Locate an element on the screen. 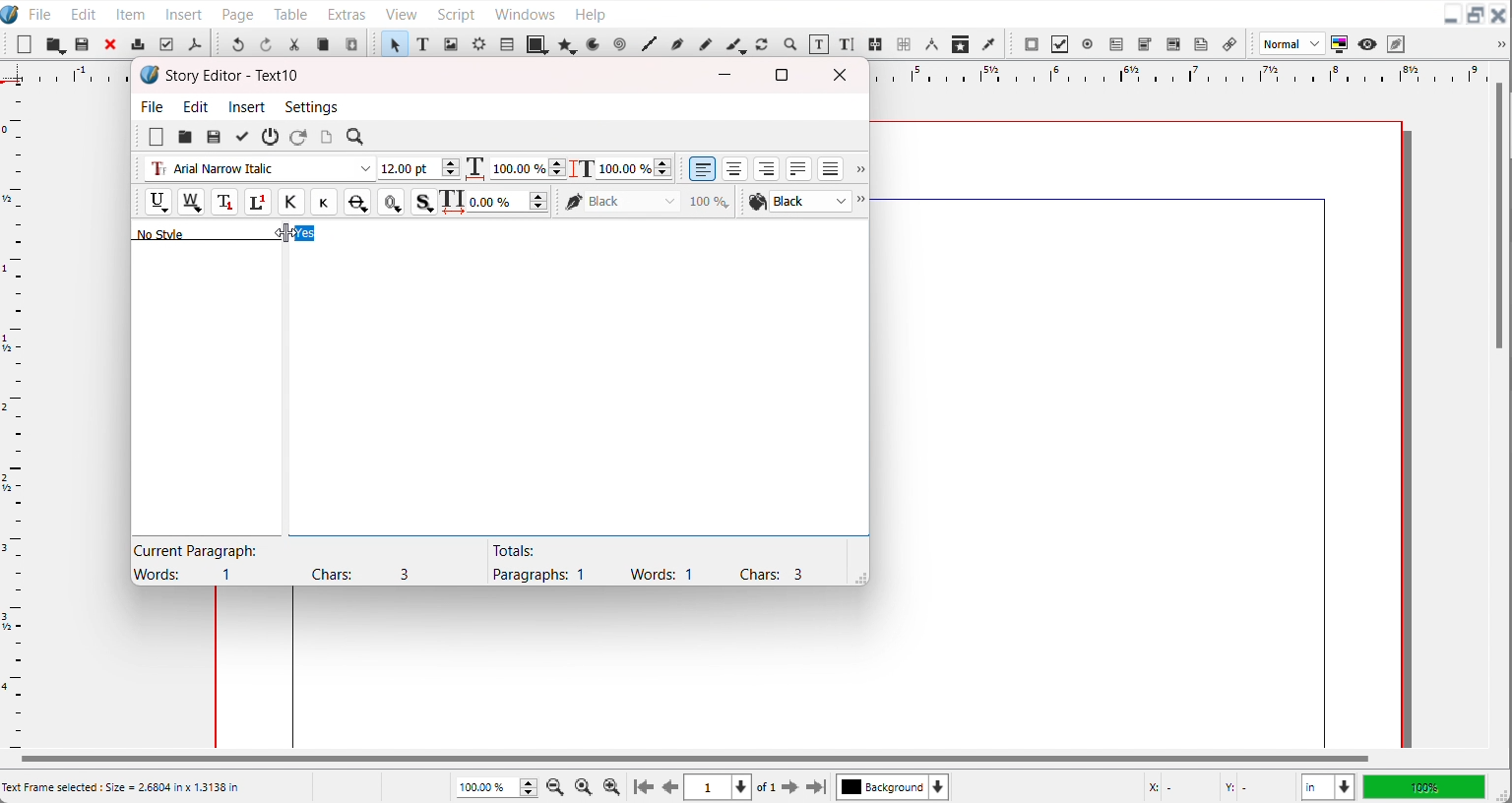 The width and height of the screenshot is (1512, 803). Edit in preview mode is located at coordinates (1397, 43).